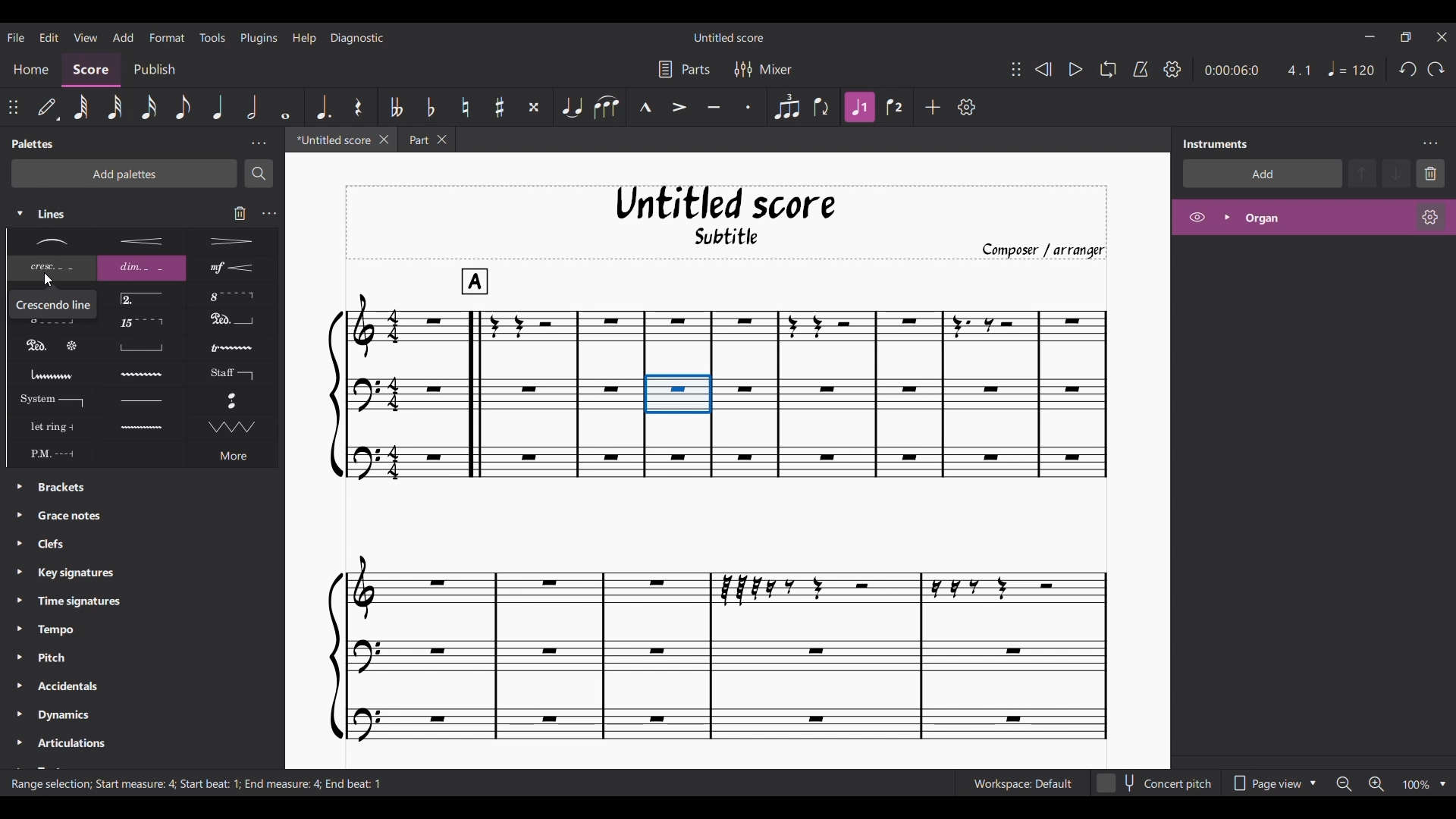 The image size is (1456, 819). Describe the element at coordinates (1272, 783) in the screenshot. I see `Page view options` at that location.